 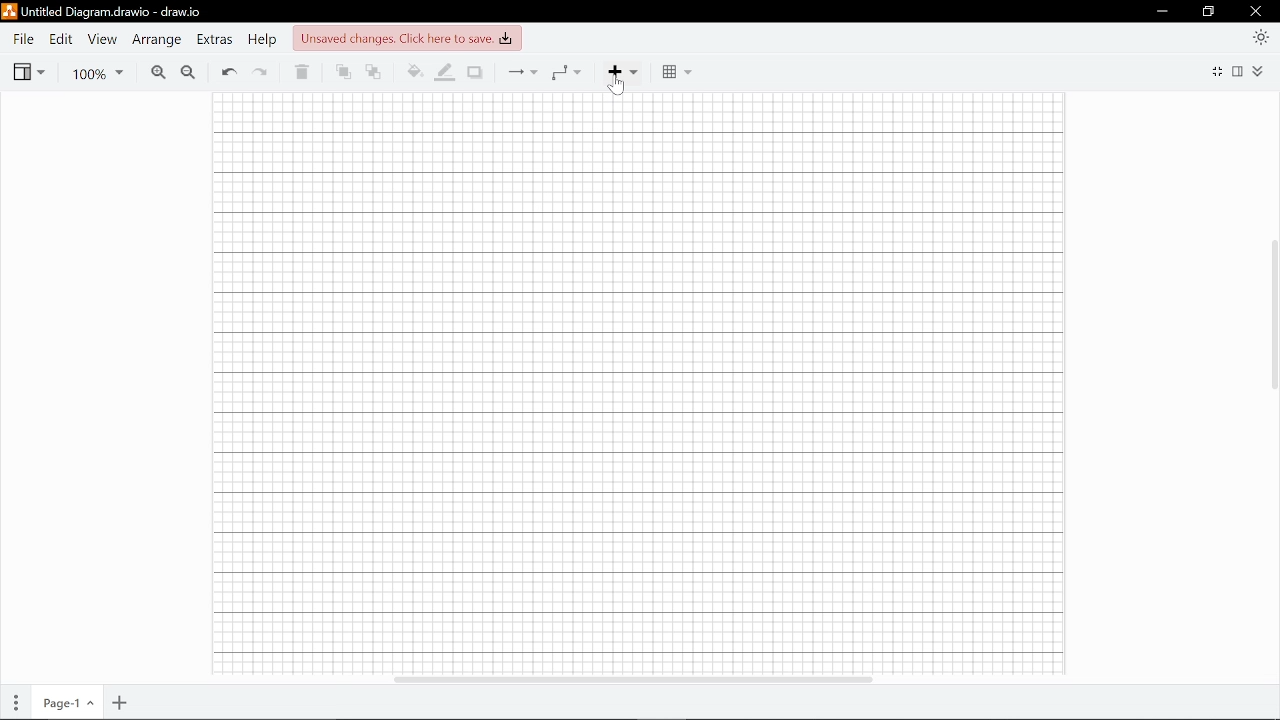 What do you see at coordinates (1209, 12) in the screenshot?
I see `Restore down` at bounding box center [1209, 12].